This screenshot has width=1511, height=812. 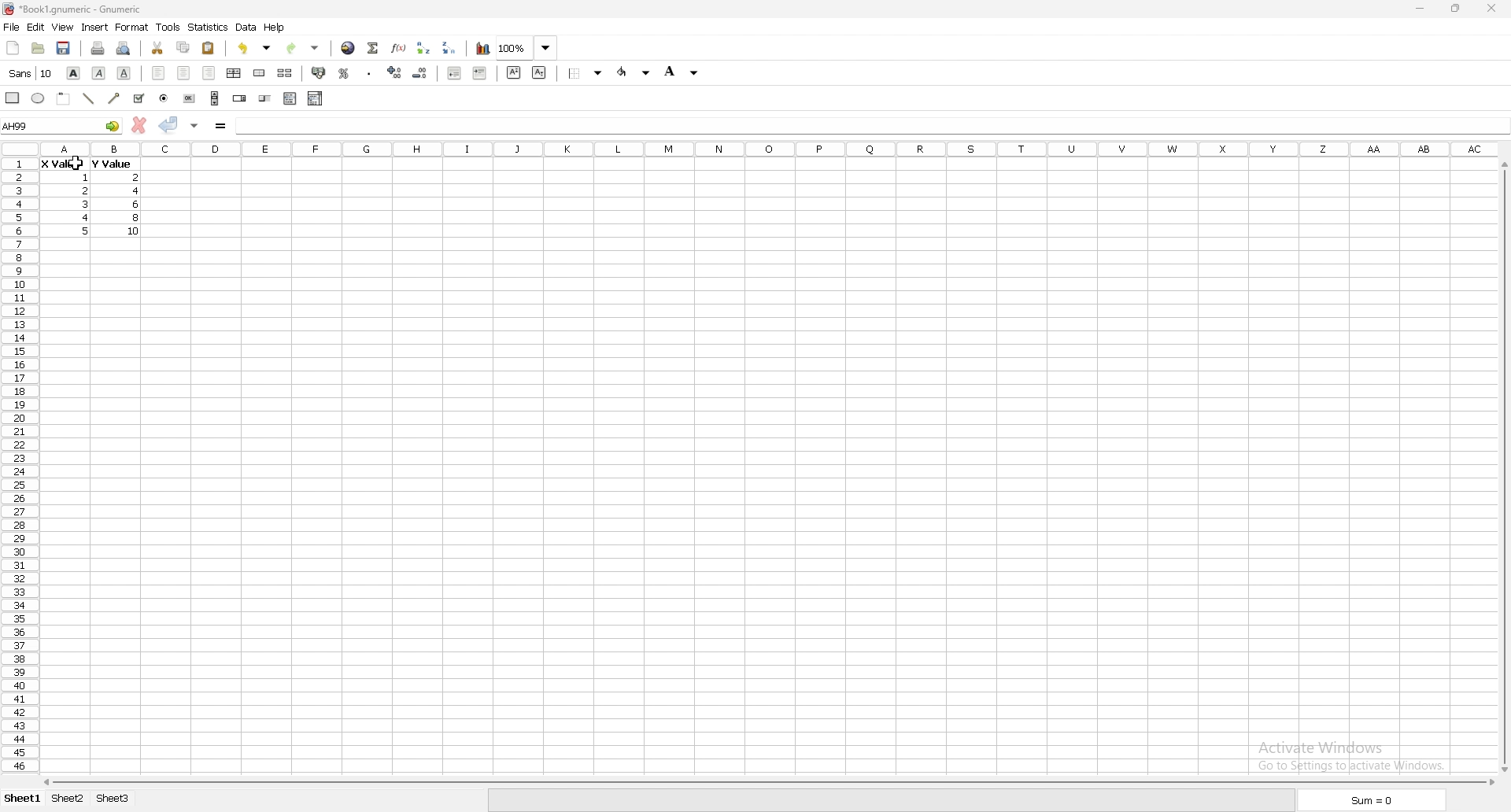 I want to click on redo, so click(x=305, y=48).